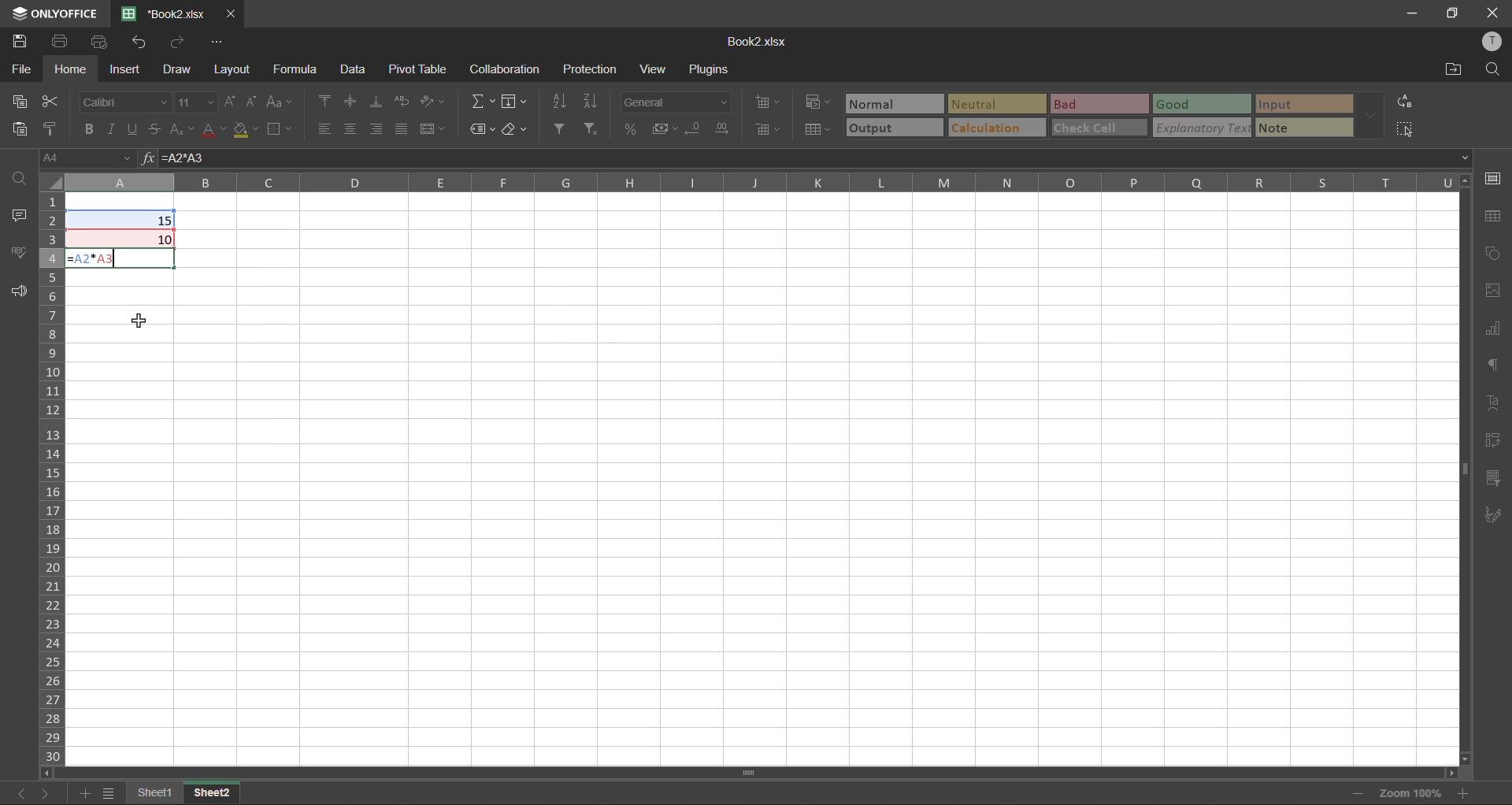 This screenshot has width=1512, height=805. I want to click on scrollbar, so click(750, 773).